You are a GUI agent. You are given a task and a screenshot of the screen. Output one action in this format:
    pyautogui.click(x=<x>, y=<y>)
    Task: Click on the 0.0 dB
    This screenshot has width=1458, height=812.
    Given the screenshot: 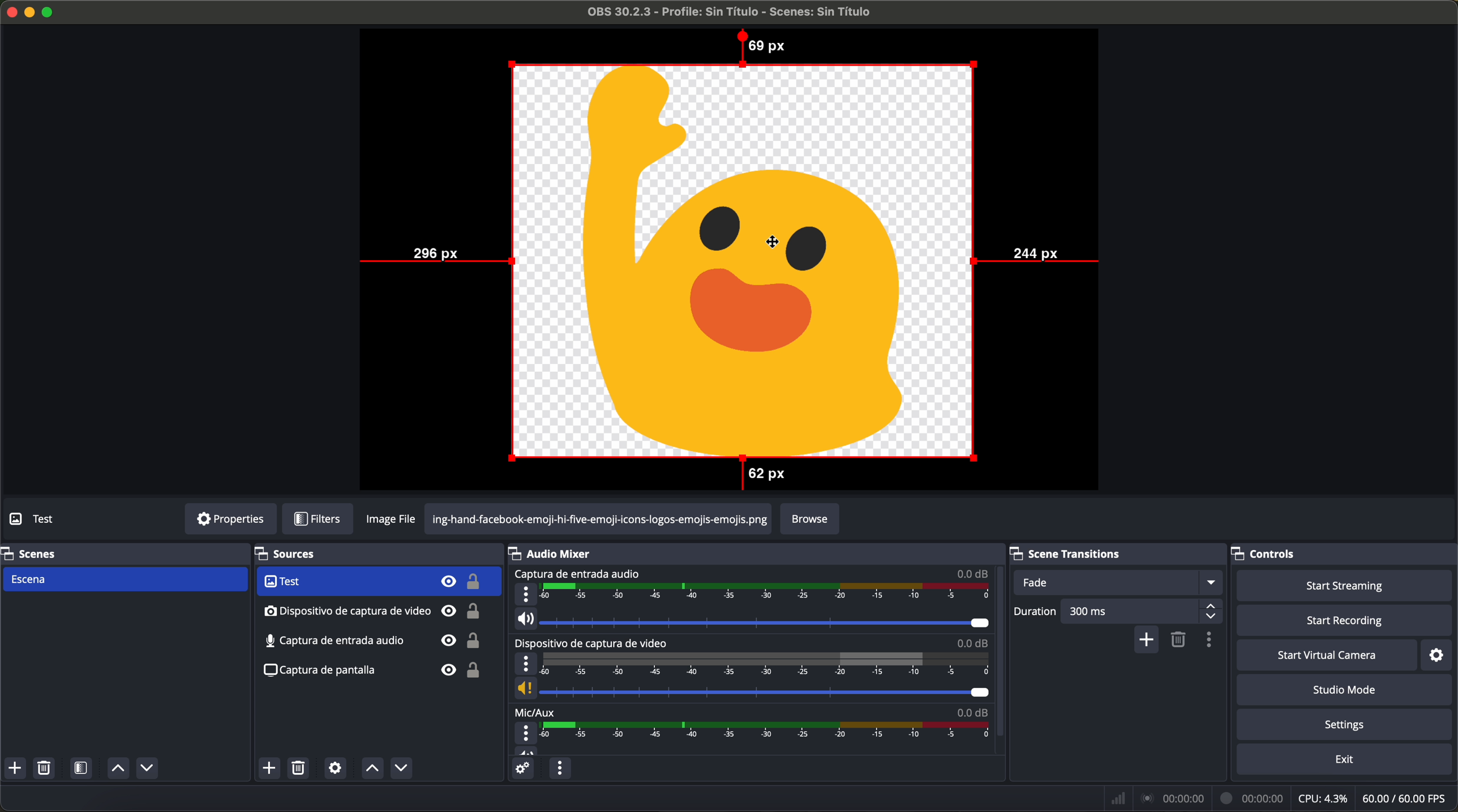 What is the action you would take?
    pyautogui.click(x=972, y=710)
    